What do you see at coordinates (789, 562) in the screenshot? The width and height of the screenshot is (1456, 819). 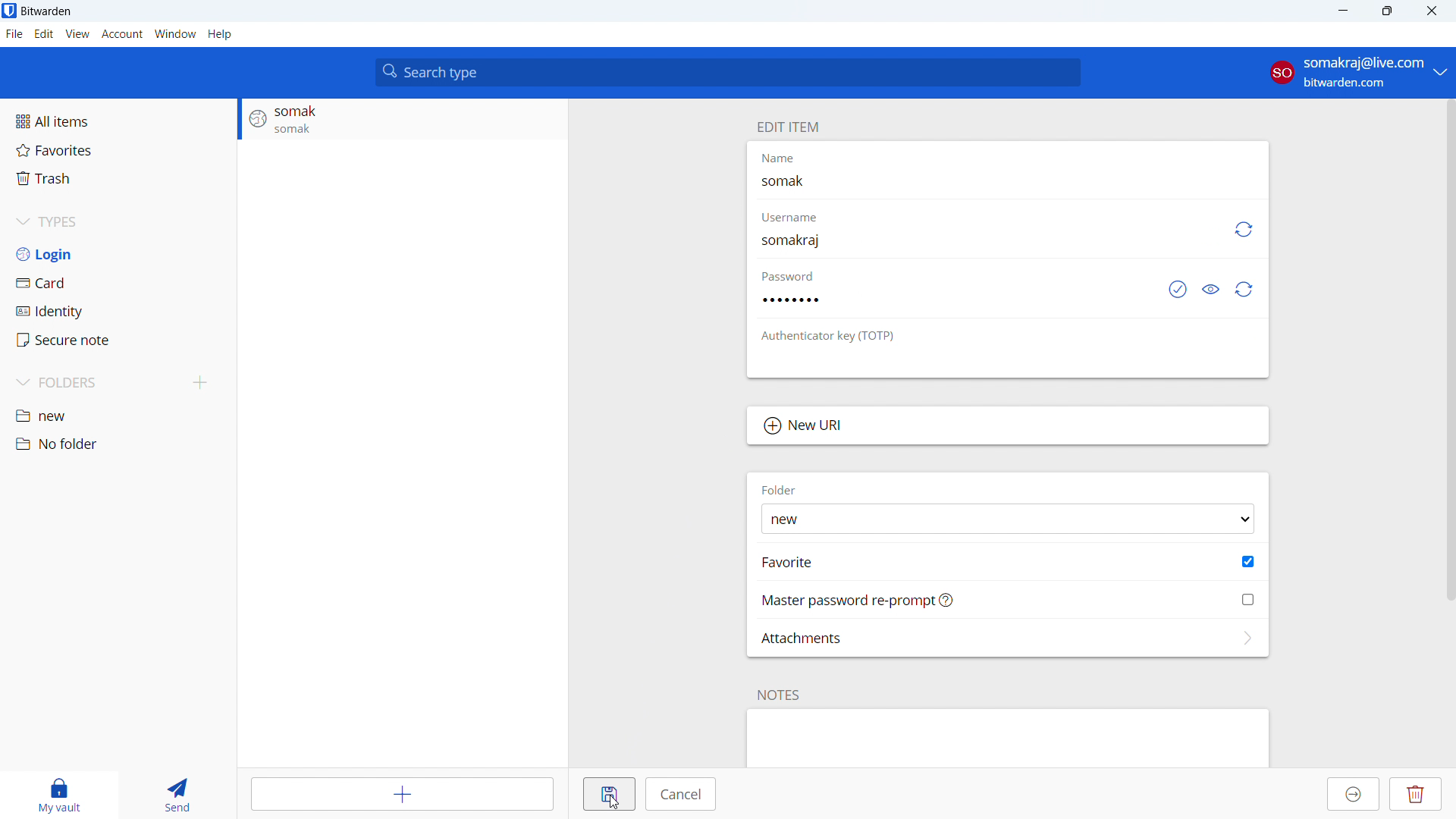 I see `FAVORITE` at bounding box center [789, 562].